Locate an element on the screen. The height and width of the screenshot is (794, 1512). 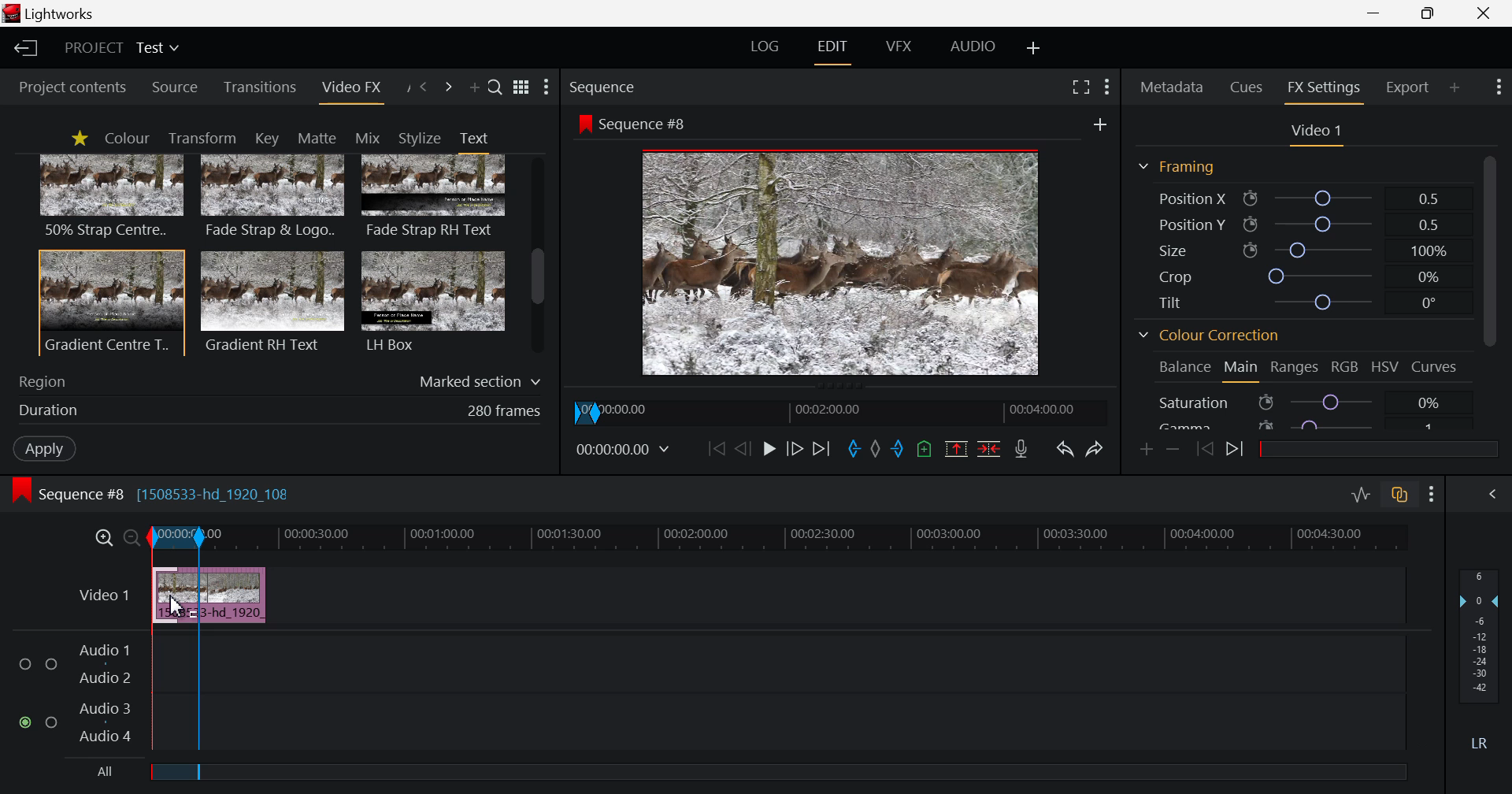
Colour Correction is located at coordinates (1214, 338).